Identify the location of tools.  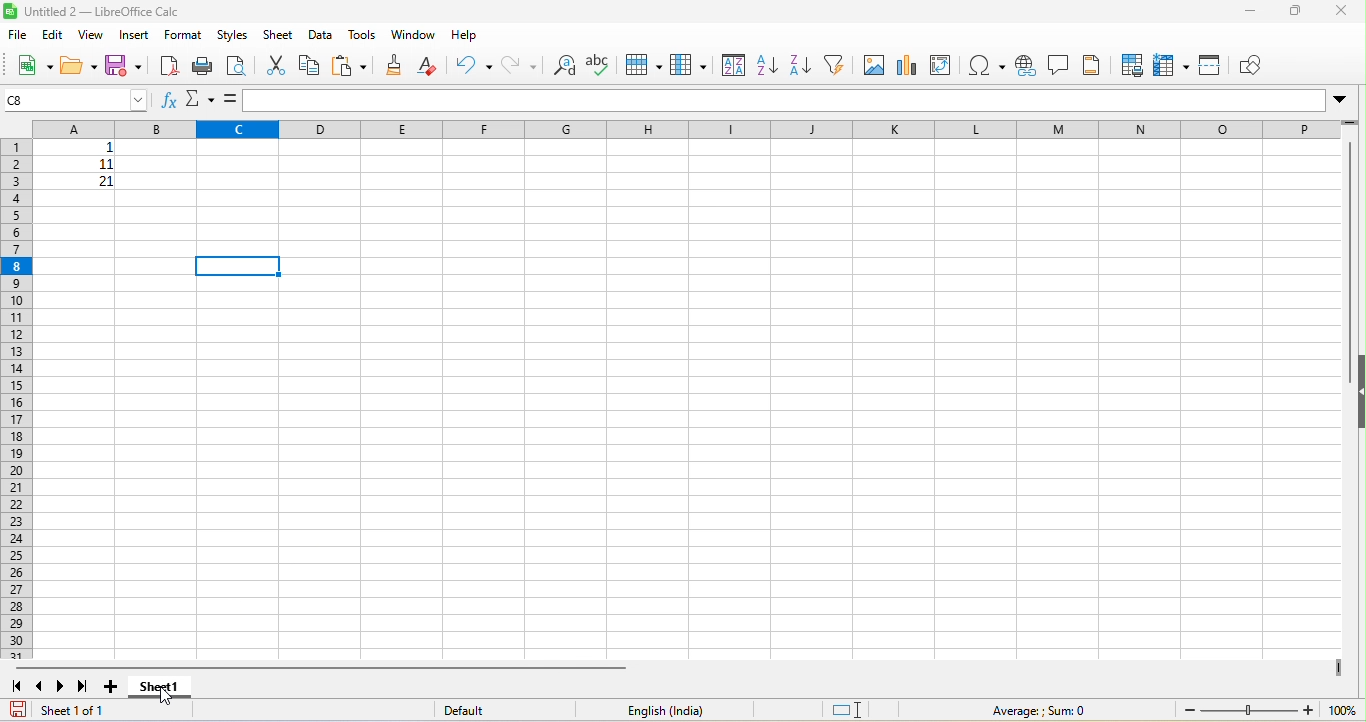
(360, 34).